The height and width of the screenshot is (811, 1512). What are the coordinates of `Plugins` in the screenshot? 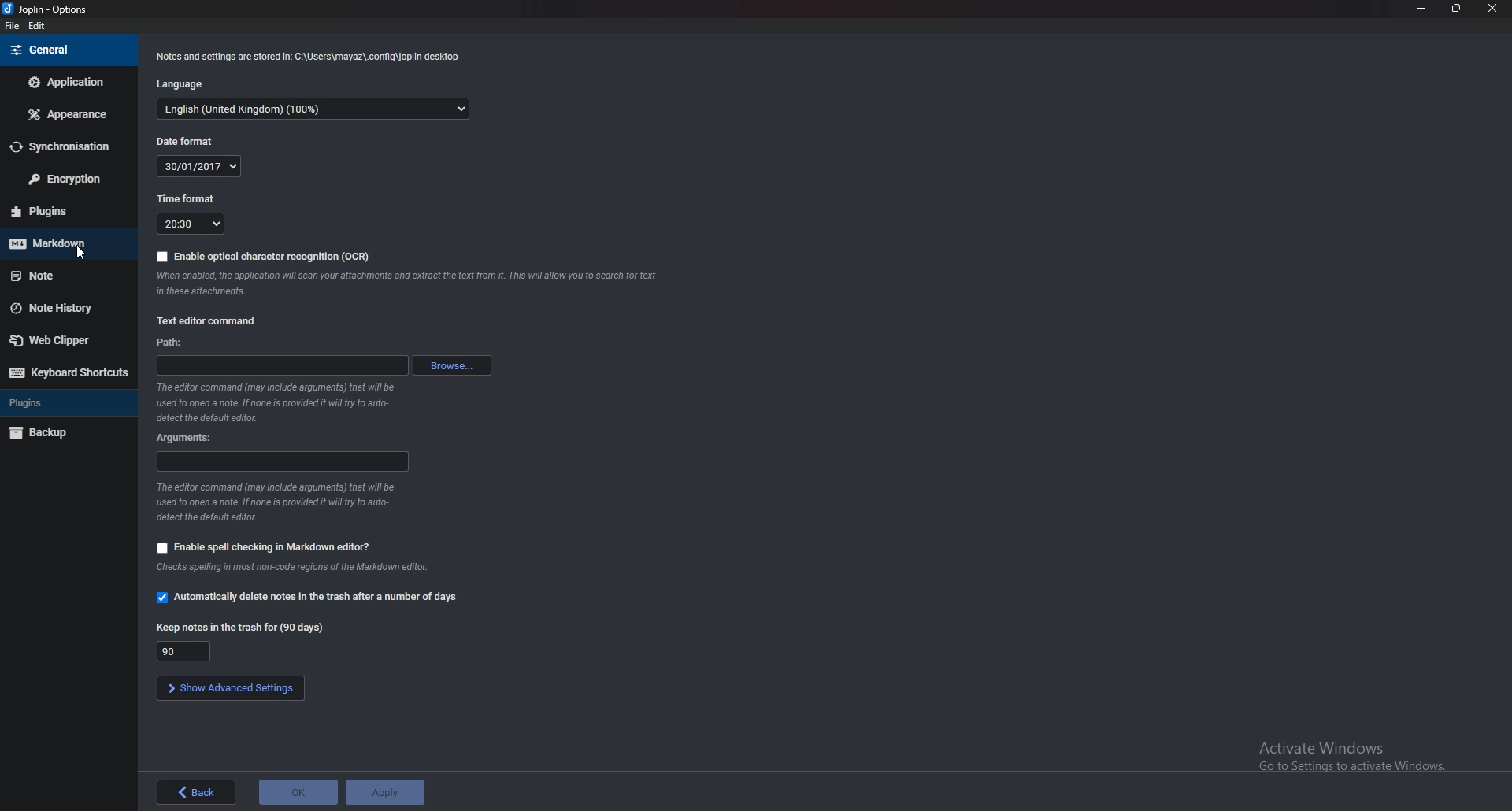 It's located at (66, 401).